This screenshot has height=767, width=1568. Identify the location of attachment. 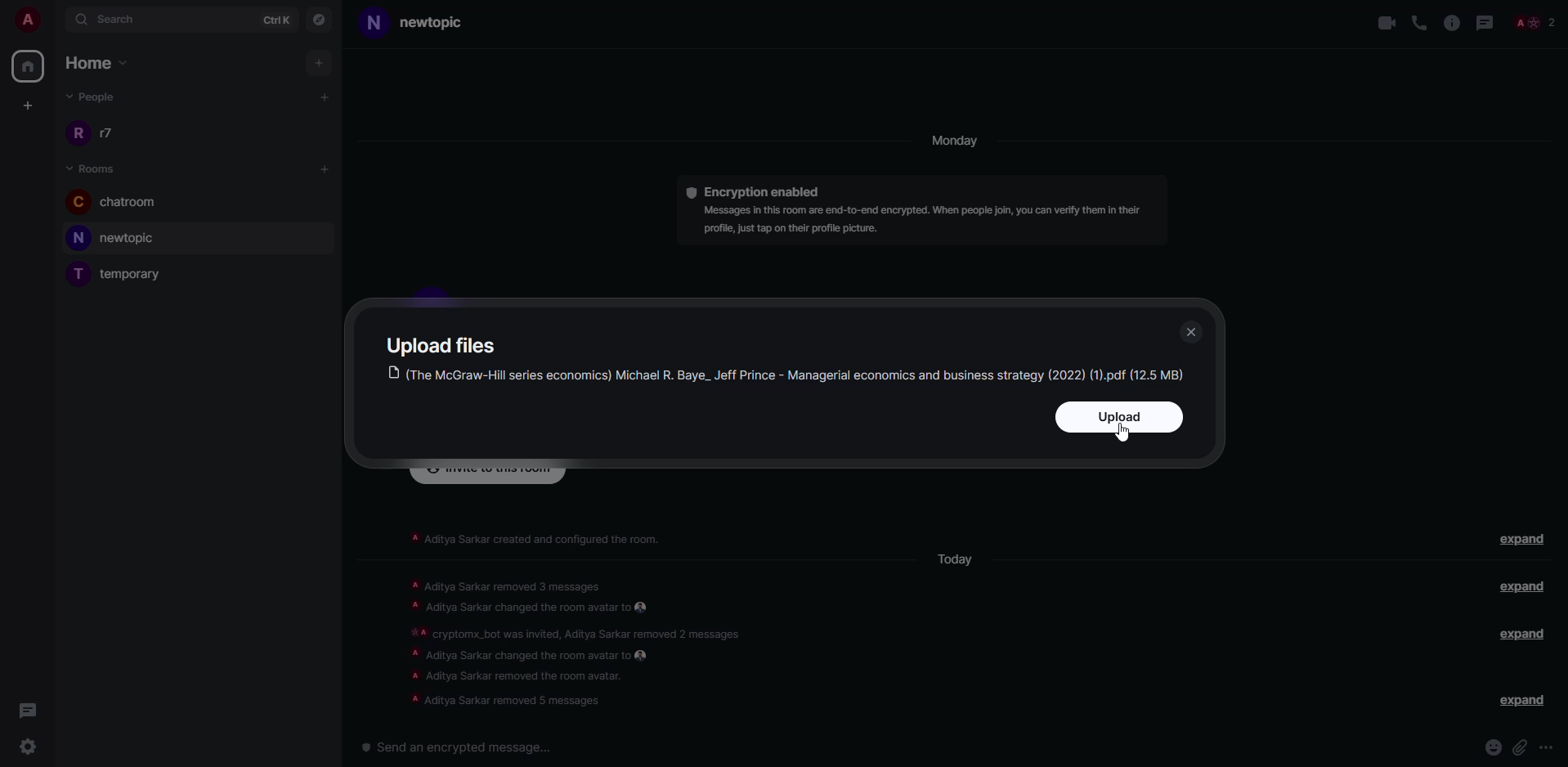
(1487, 747).